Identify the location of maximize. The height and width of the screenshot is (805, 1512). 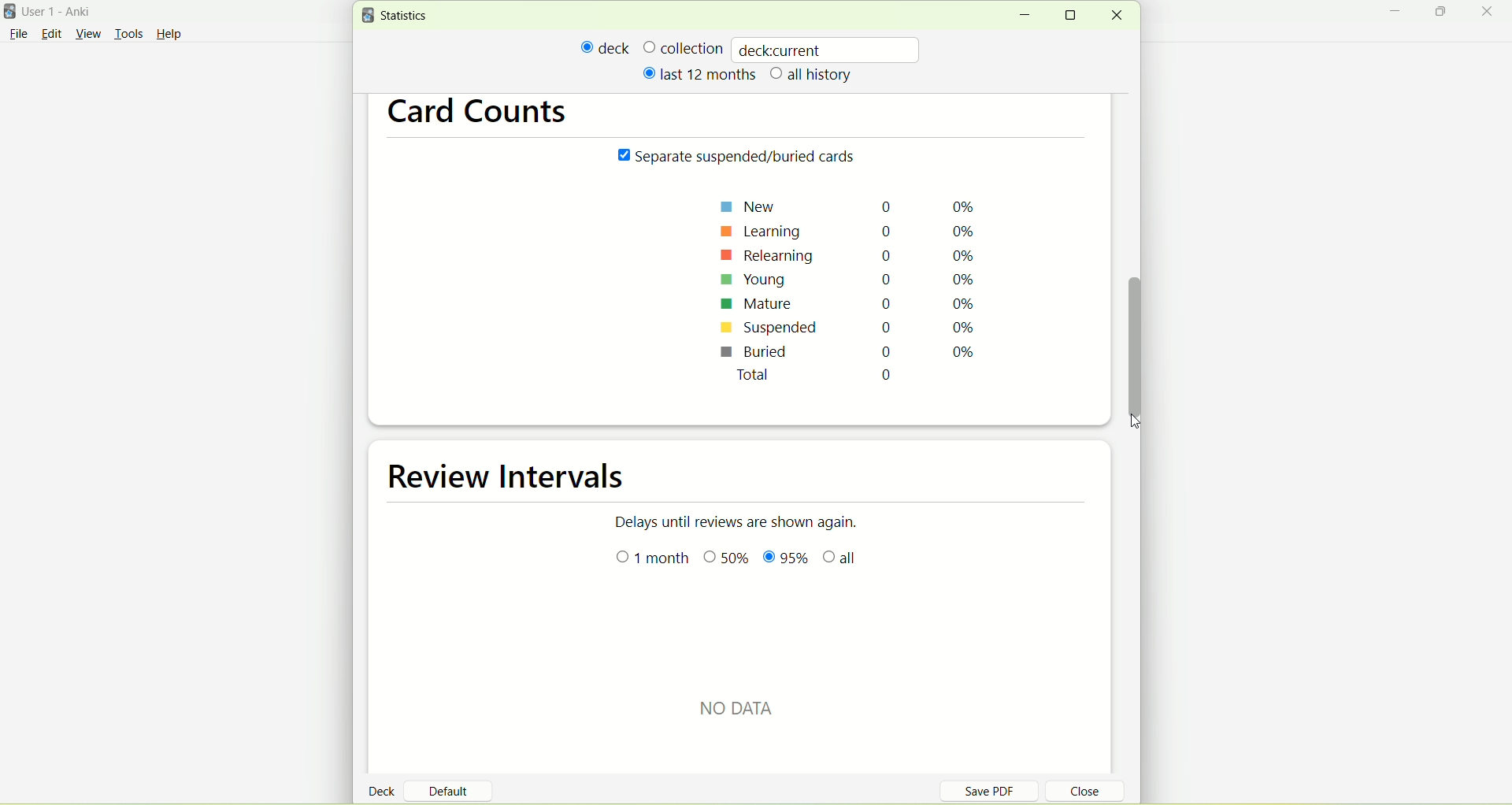
(1076, 15).